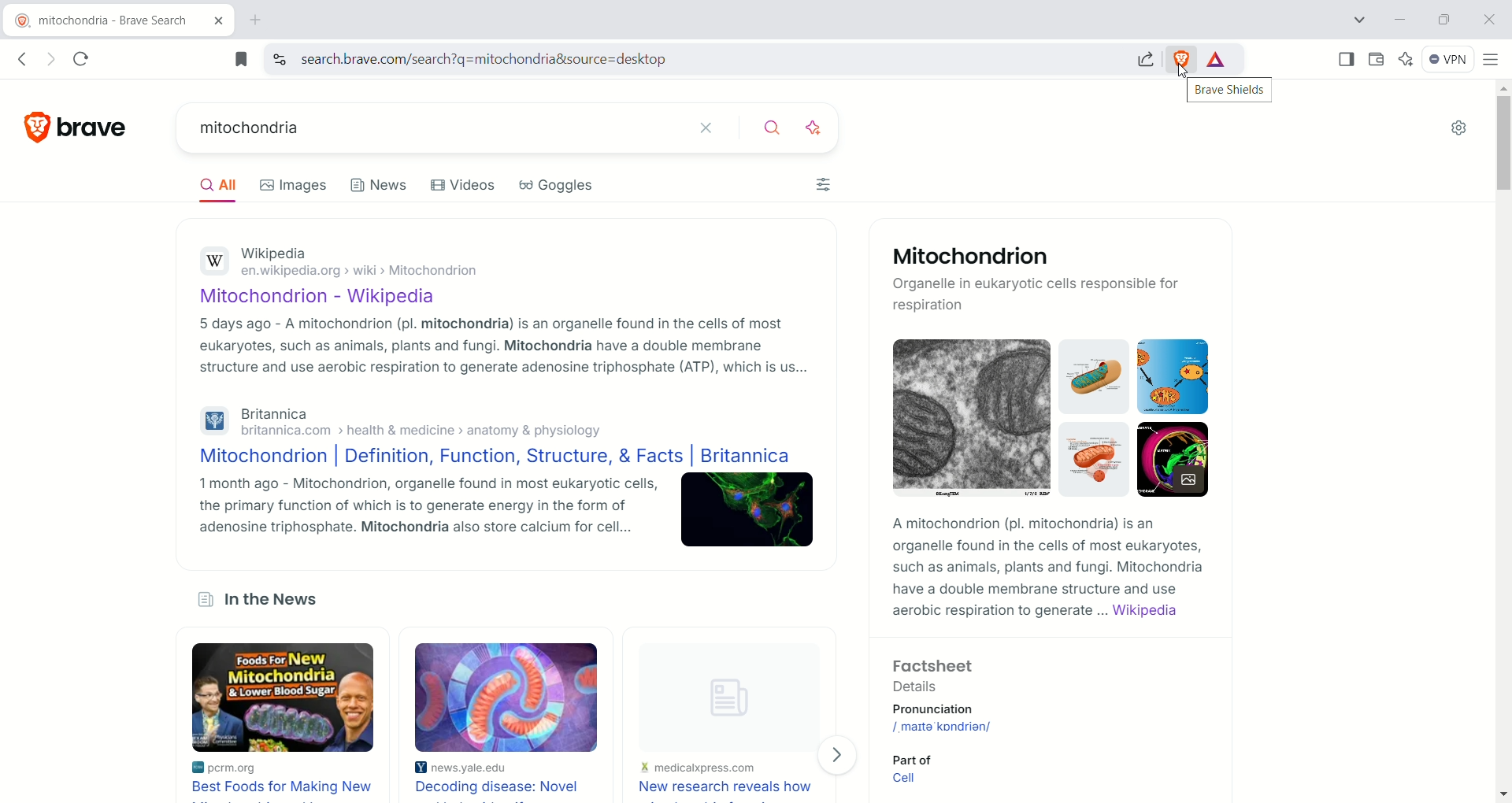  What do you see at coordinates (429, 506) in the screenshot?
I see `1 month ago - Mitochondrion, organelle found in most eukaryotic cells,
the primary function of which is to generate energy in the form of
adenosine triphosphate. Mitochondria also store calcium for cell...` at bounding box center [429, 506].